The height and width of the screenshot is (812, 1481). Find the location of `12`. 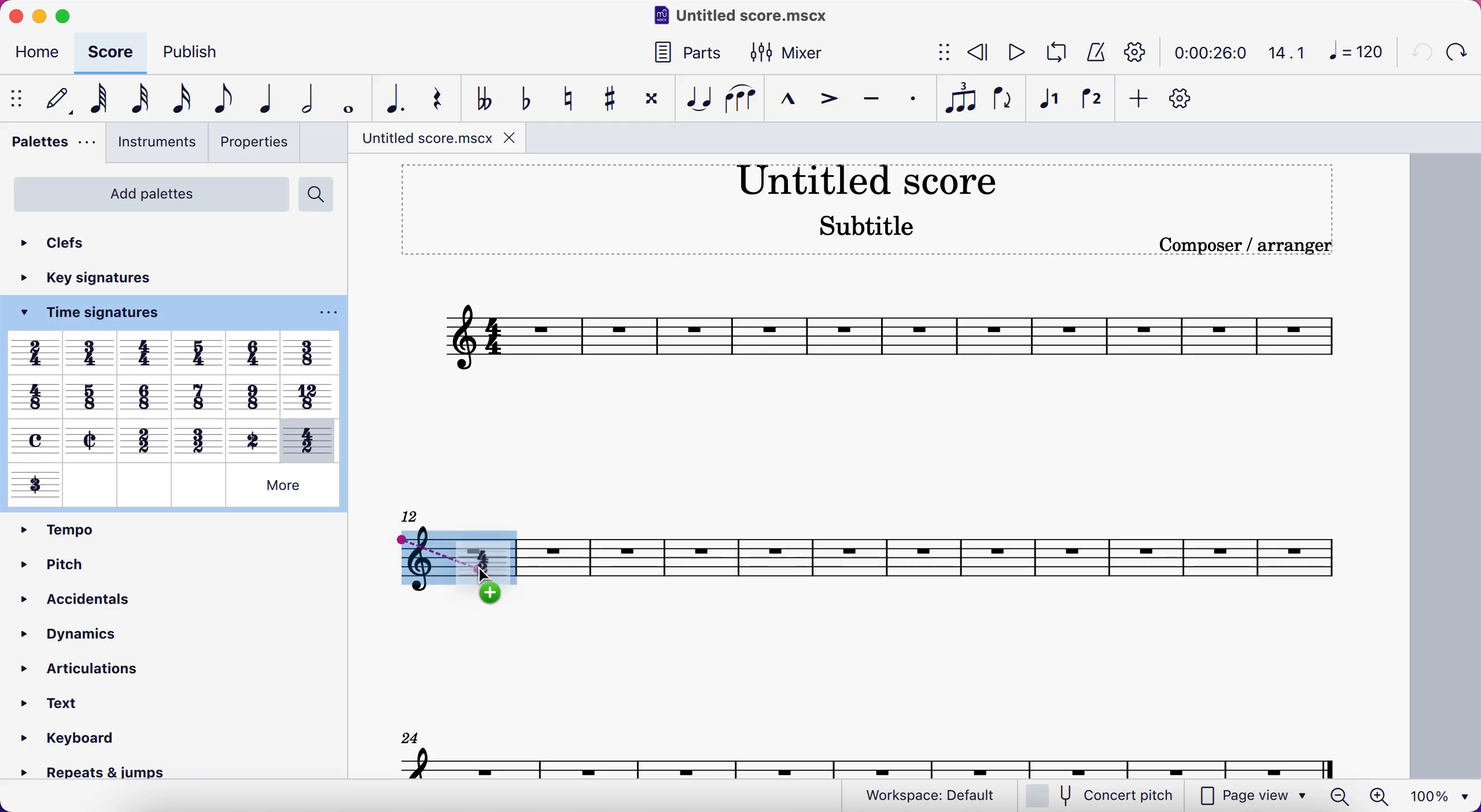

12 is located at coordinates (411, 515).